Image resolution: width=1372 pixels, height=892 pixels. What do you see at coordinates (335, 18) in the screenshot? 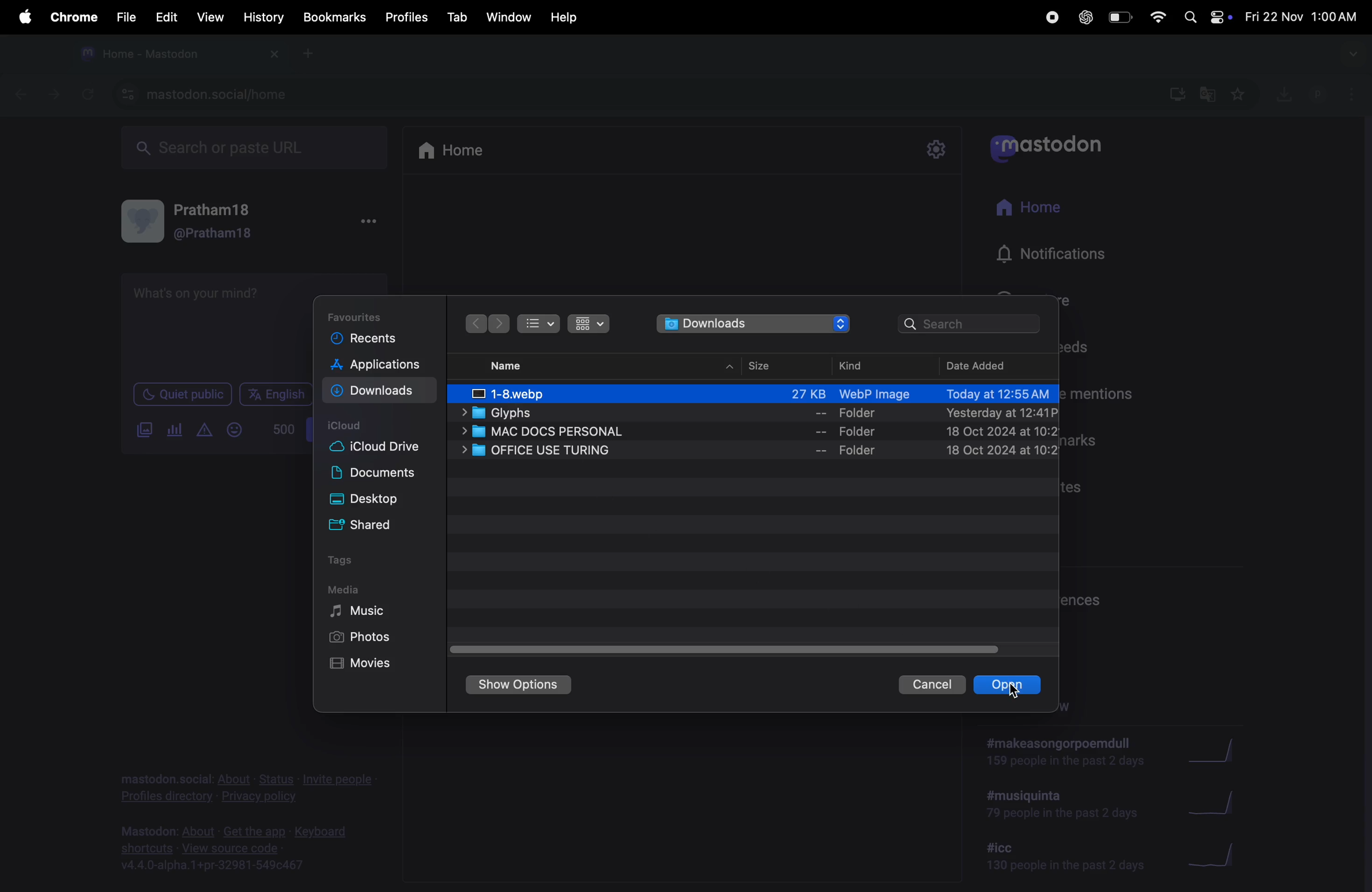
I see `book marks` at bounding box center [335, 18].